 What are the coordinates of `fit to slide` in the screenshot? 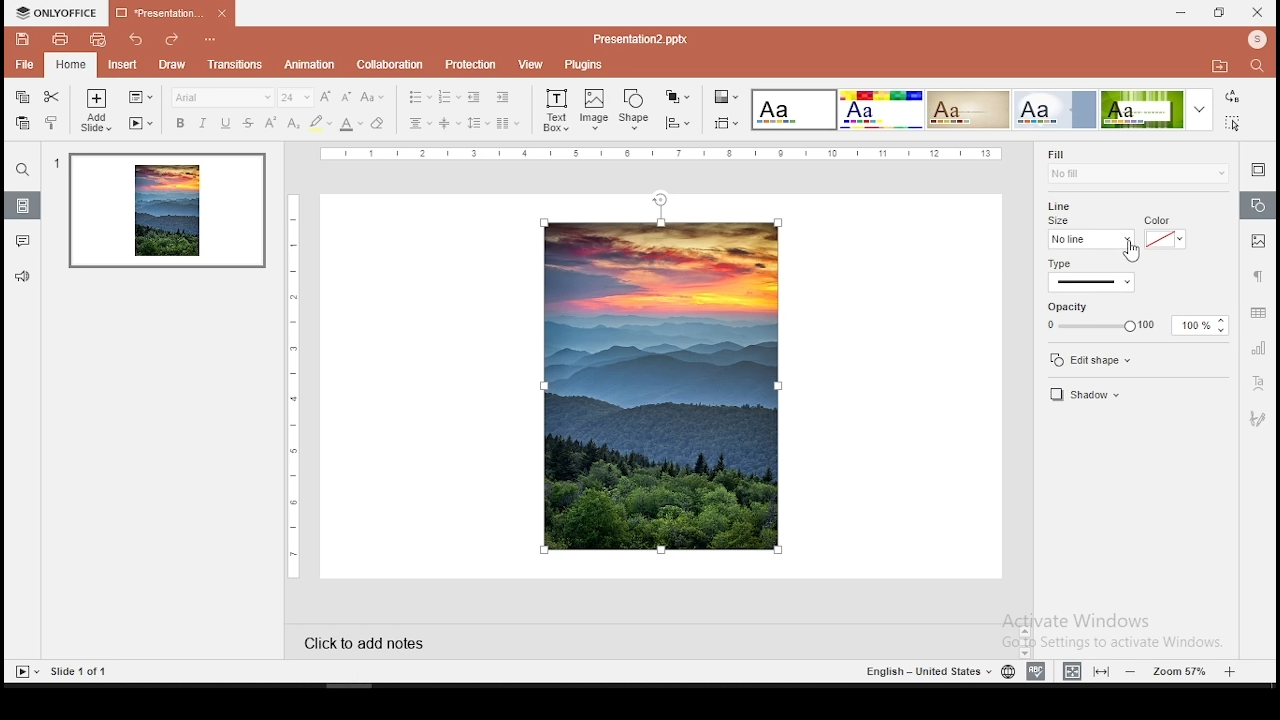 It's located at (1101, 672).